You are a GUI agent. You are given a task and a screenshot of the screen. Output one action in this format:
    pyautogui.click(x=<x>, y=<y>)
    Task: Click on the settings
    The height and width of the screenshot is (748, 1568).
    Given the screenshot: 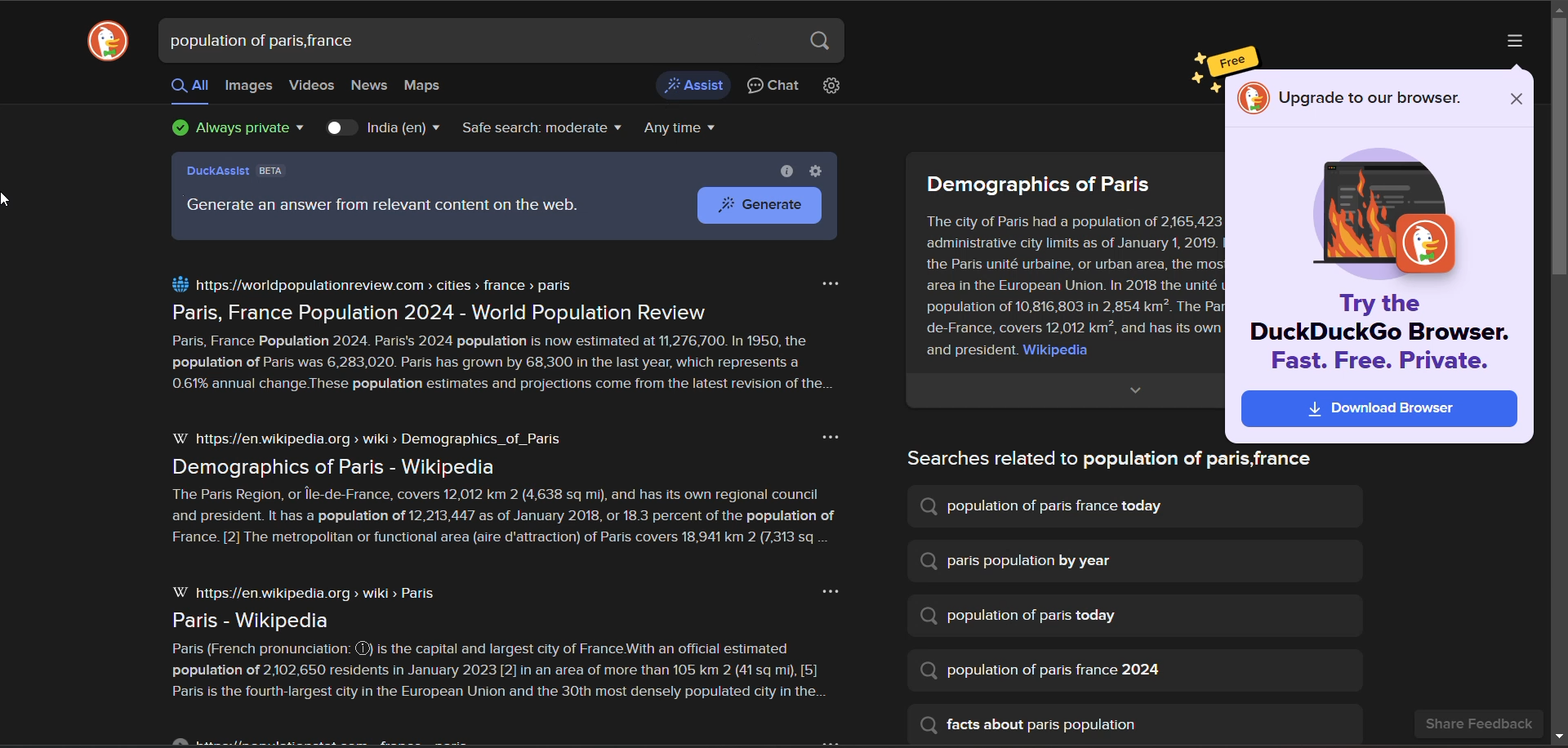 What is the action you would take?
    pyautogui.click(x=814, y=171)
    